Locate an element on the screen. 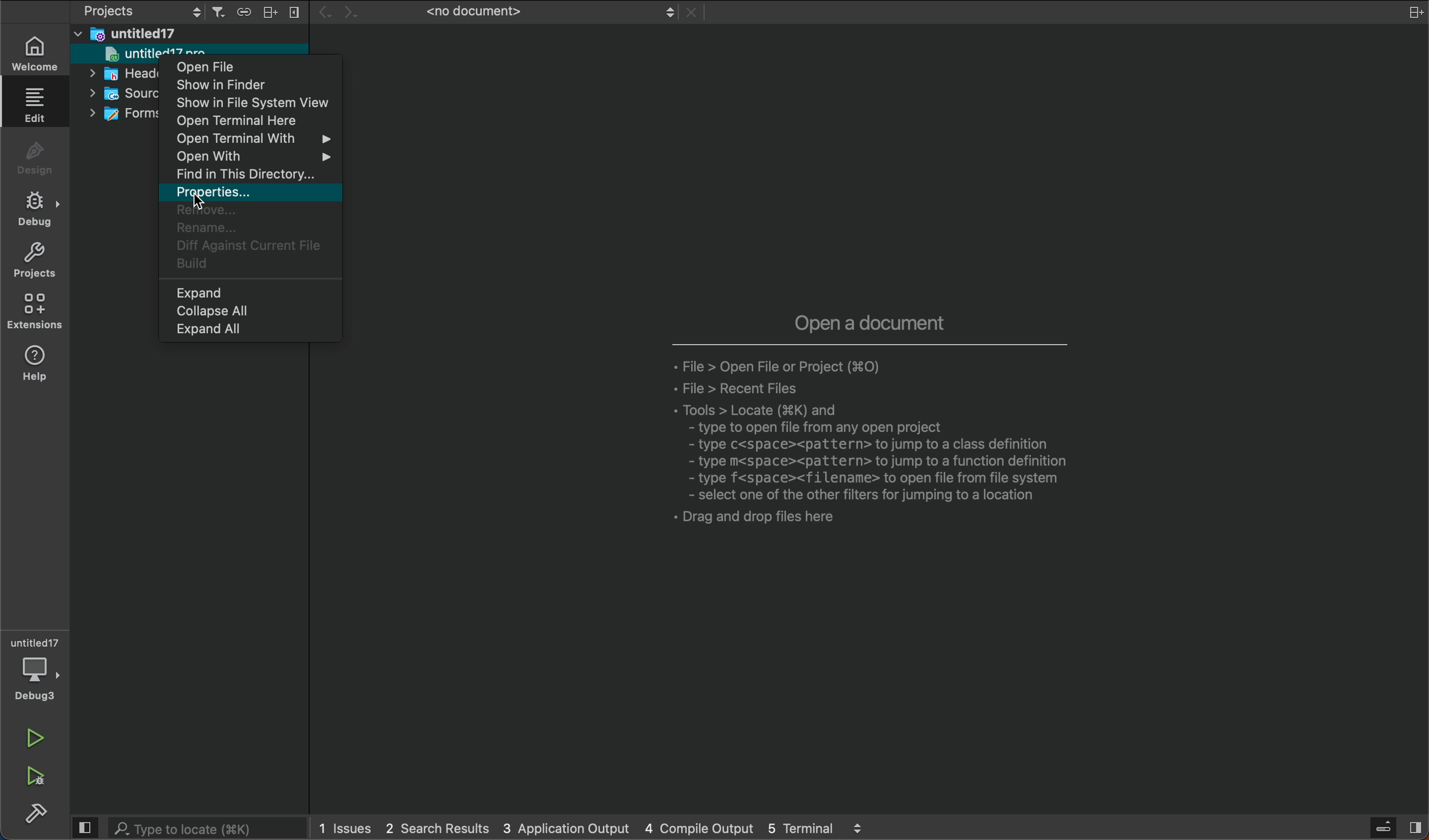 The height and width of the screenshot is (840, 1429). open terminal with is located at coordinates (256, 141).